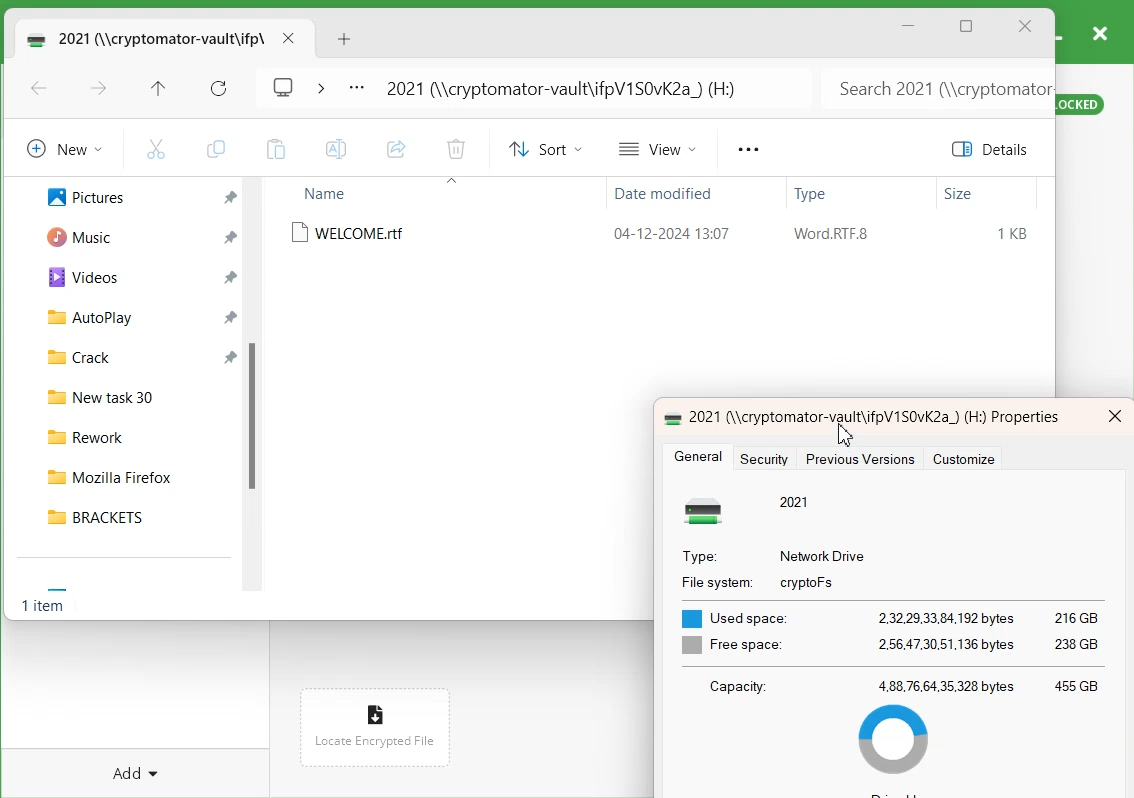  I want to click on Go forward, so click(99, 90).